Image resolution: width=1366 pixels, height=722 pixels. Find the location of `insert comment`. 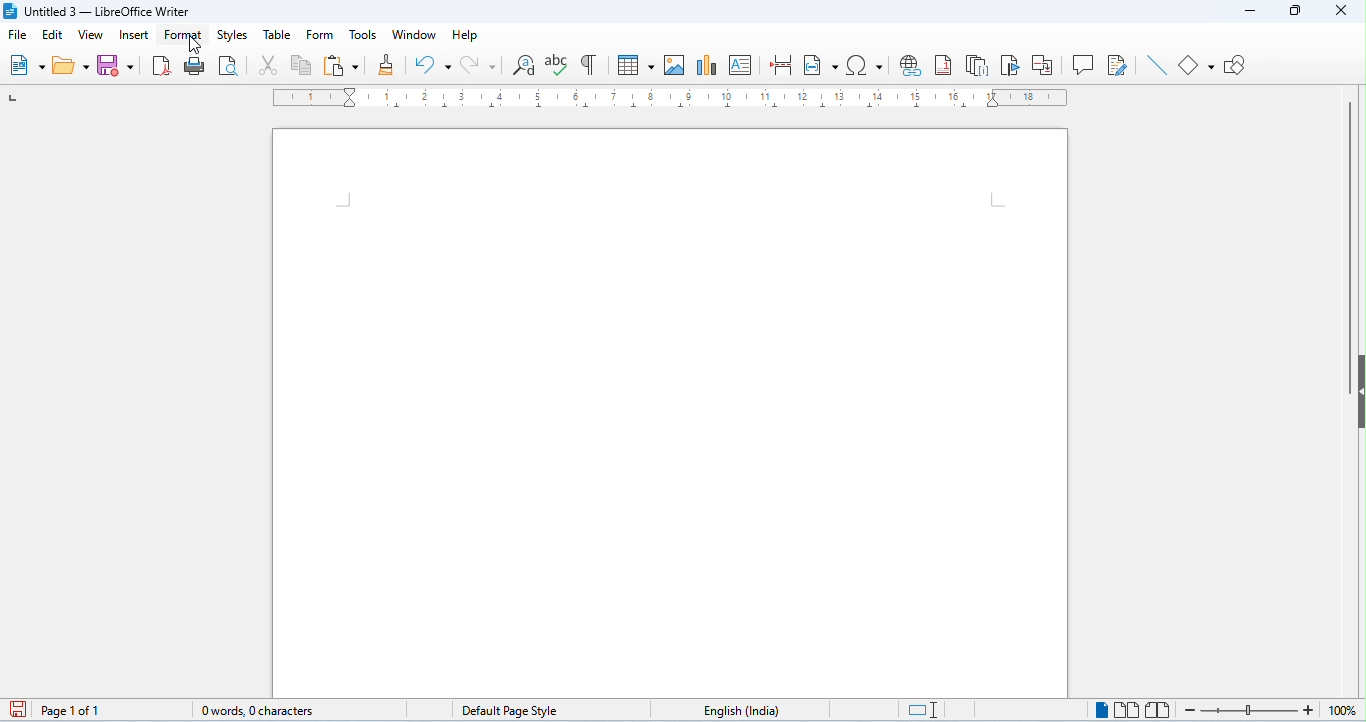

insert comment is located at coordinates (1084, 64).